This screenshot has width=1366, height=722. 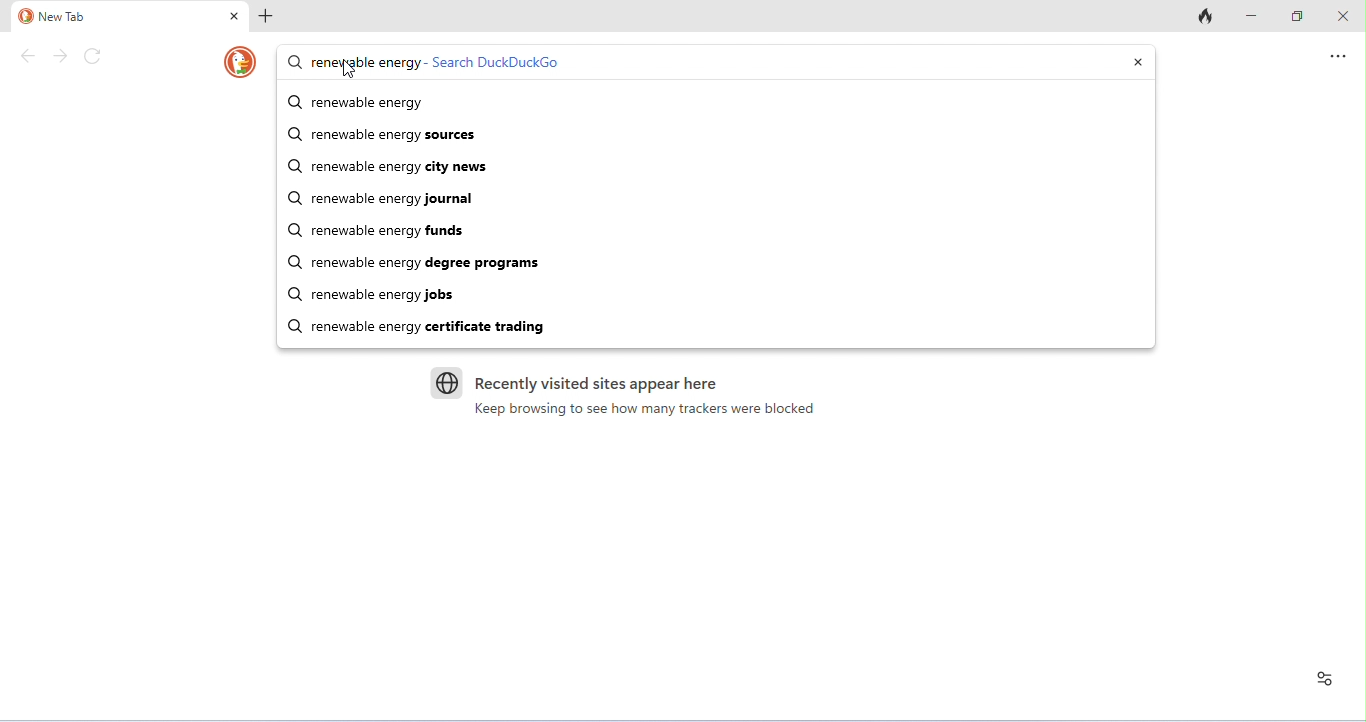 I want to click on renewable energy certificate trading, so click(x=727, y=326).